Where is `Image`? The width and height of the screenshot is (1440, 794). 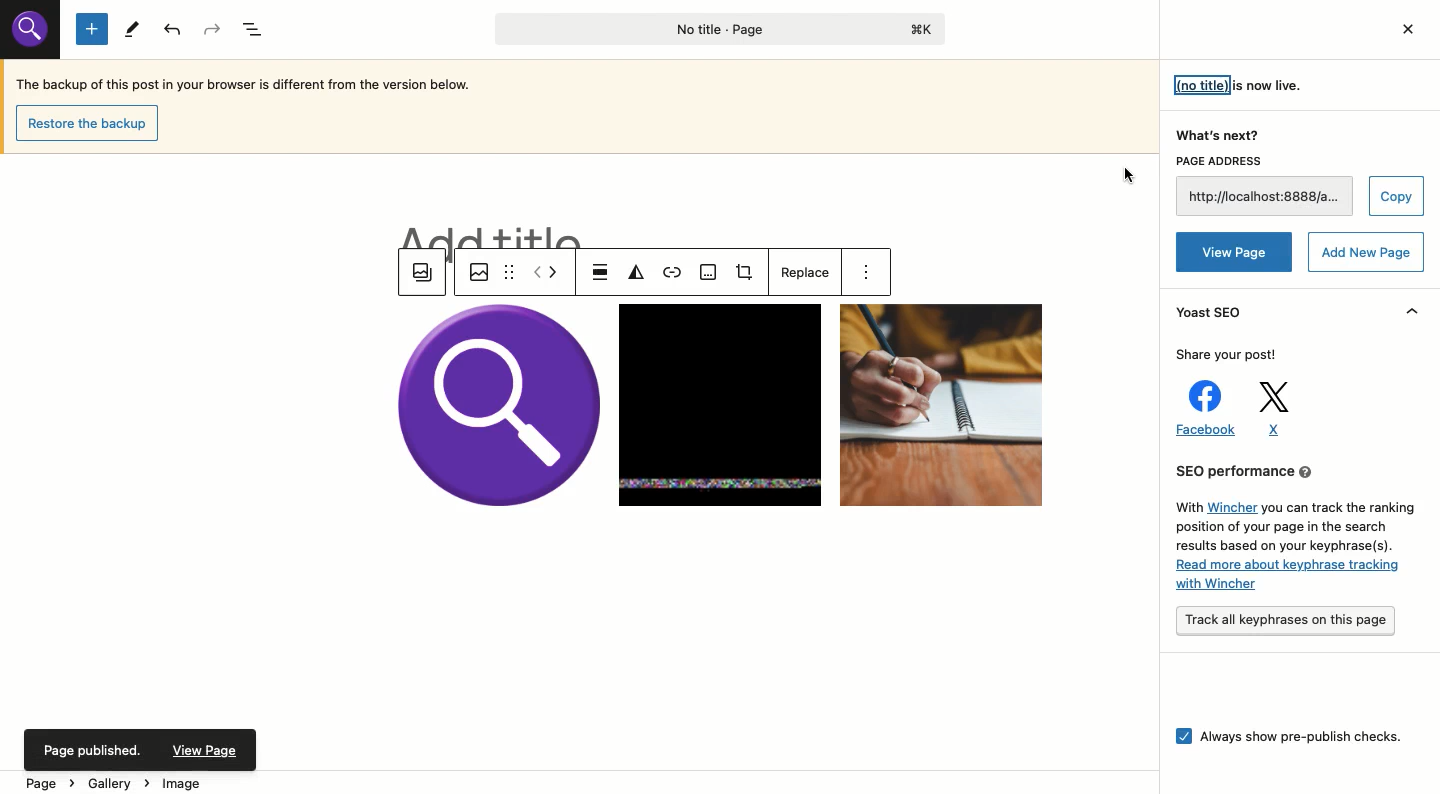
Image is located at coordinates (475, 271).